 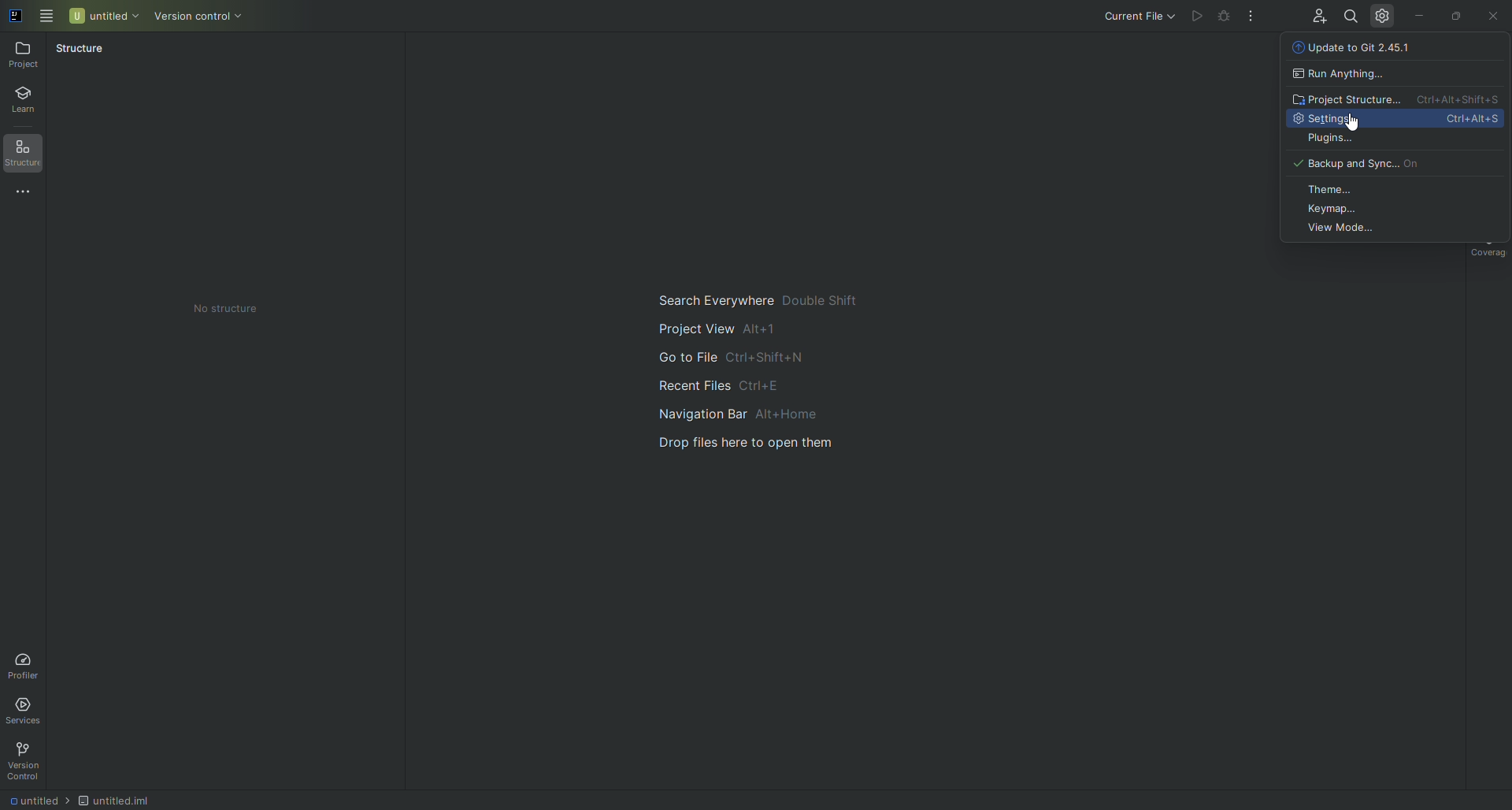 What do you see at coordinates (1349, 15) in the screenshot?
I see `Search` at bounding box center [1349, 15].